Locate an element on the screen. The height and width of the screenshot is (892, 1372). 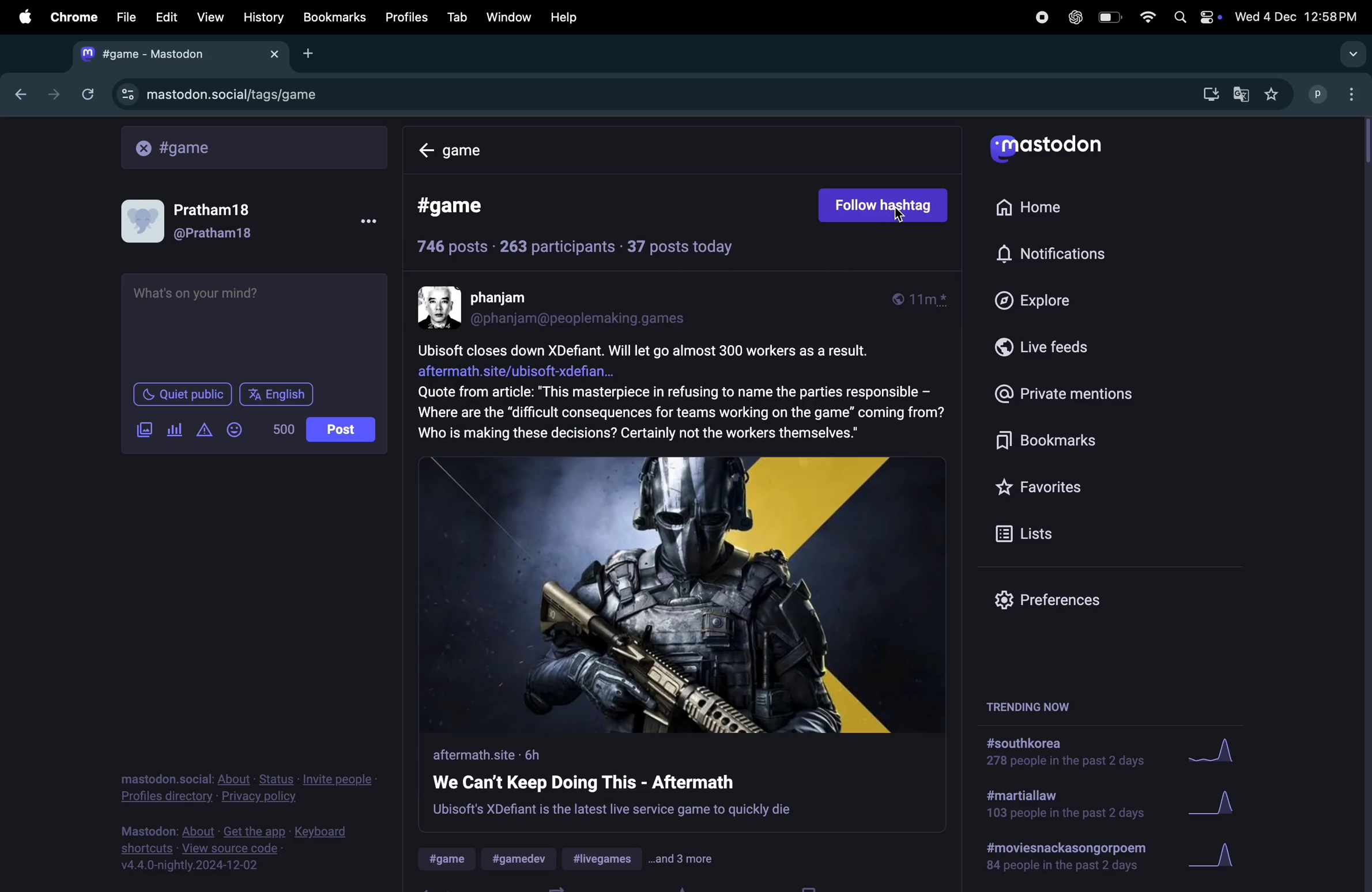
#moviesand poem is located at coordinates (1068, 859).